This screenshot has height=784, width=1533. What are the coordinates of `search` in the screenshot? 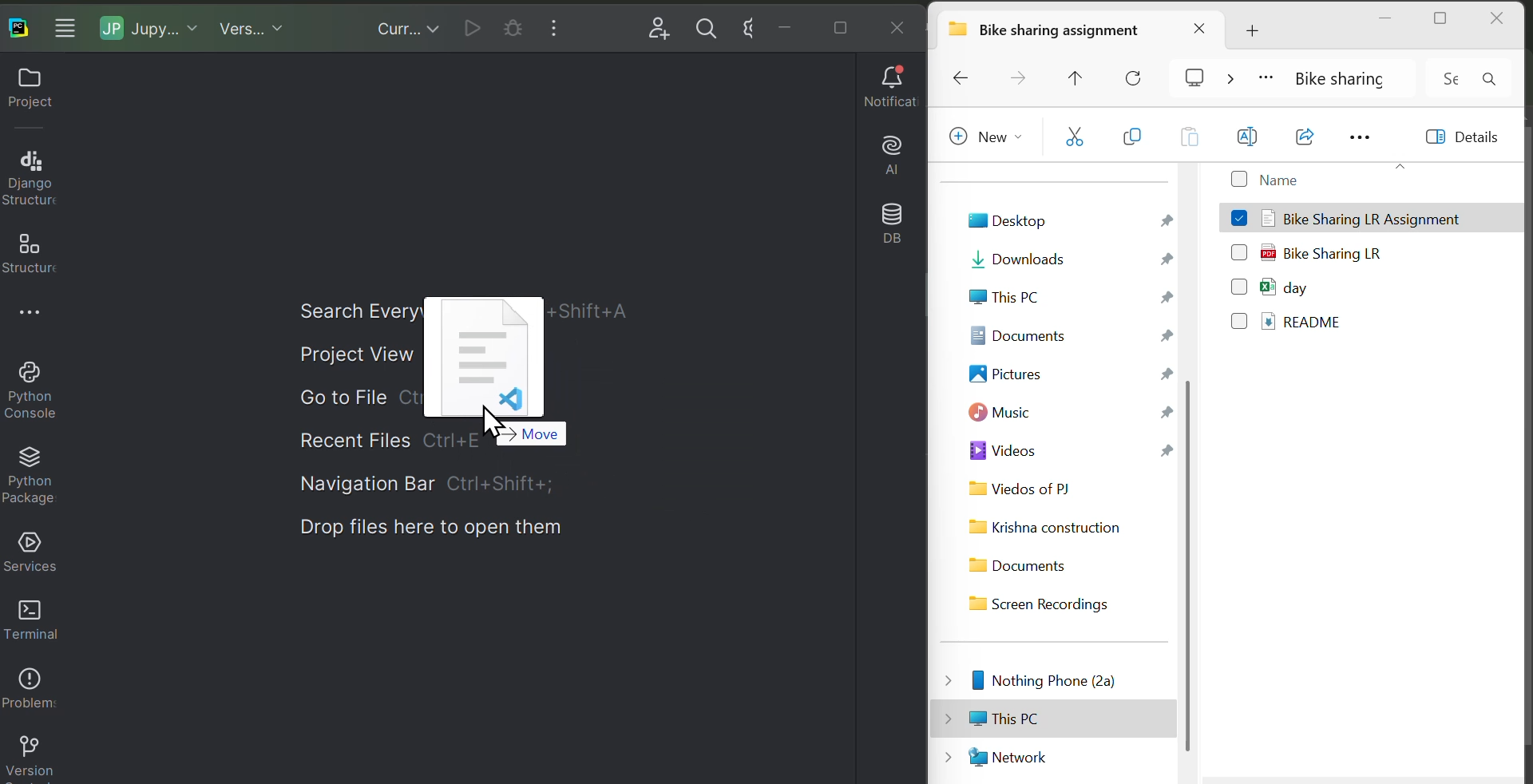 It's located at (705, 23).